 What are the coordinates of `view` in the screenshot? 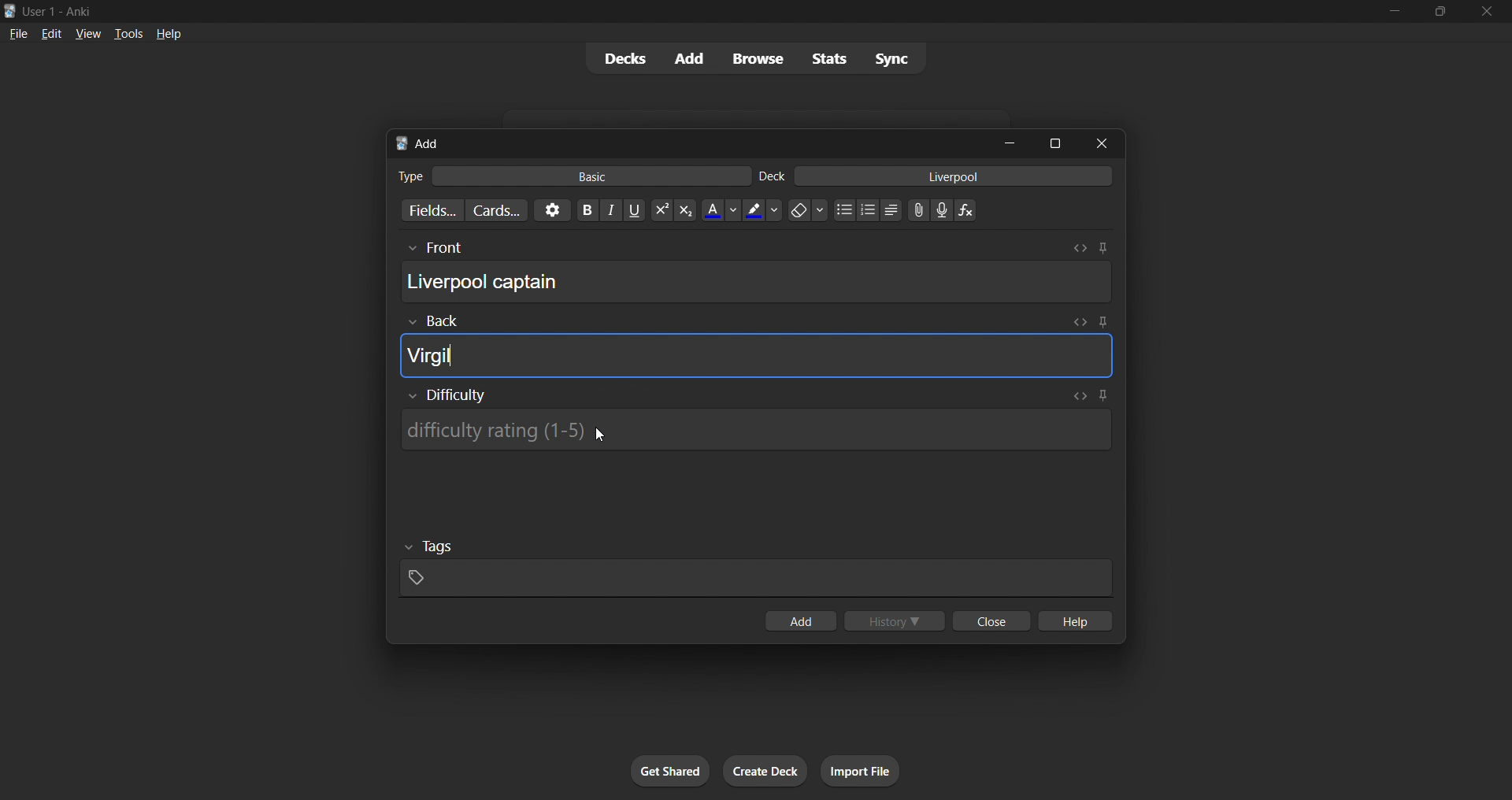 It's located at (88, 33).